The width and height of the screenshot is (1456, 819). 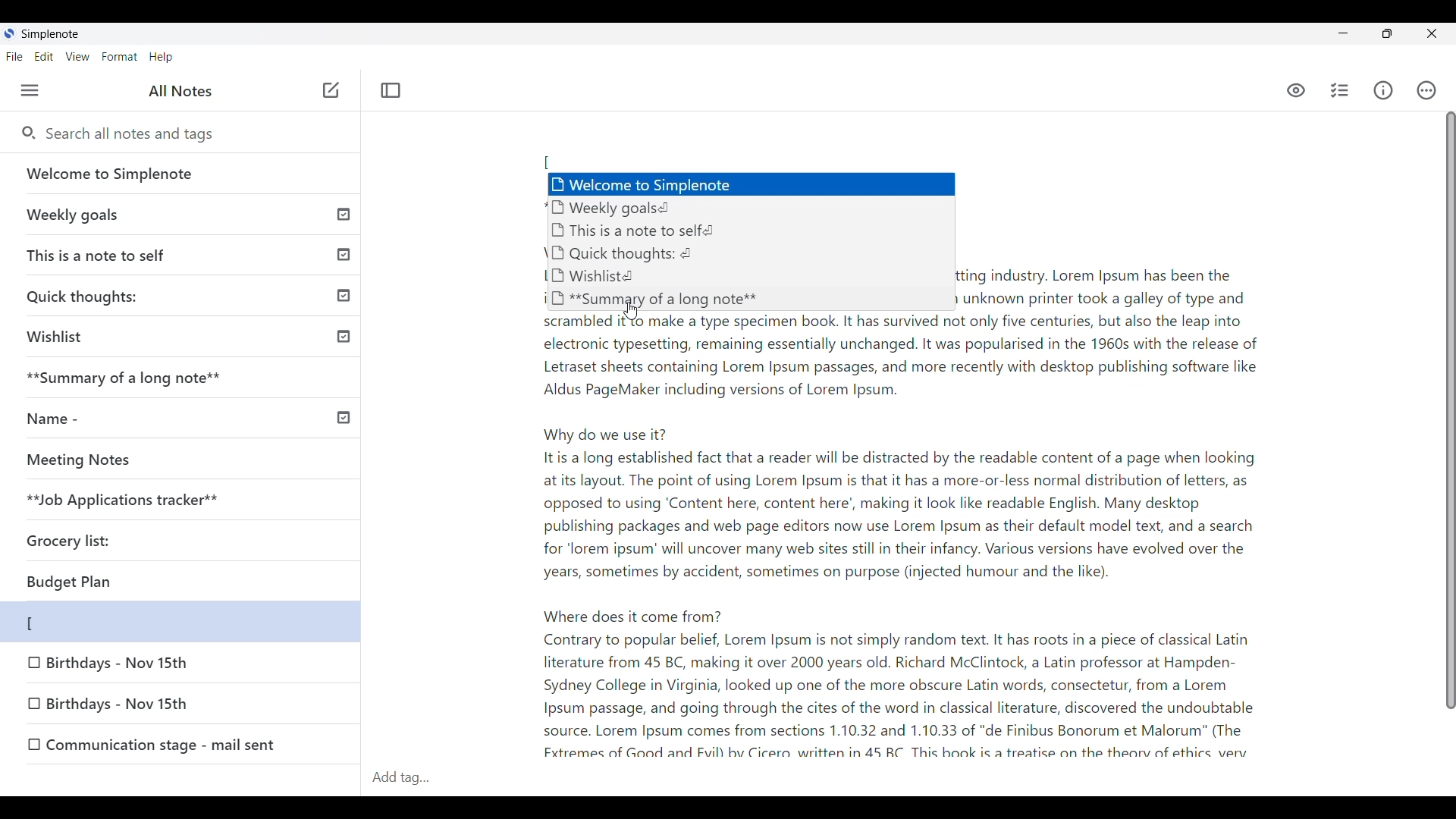 I want to click on Name, so click(x=183, y=417).